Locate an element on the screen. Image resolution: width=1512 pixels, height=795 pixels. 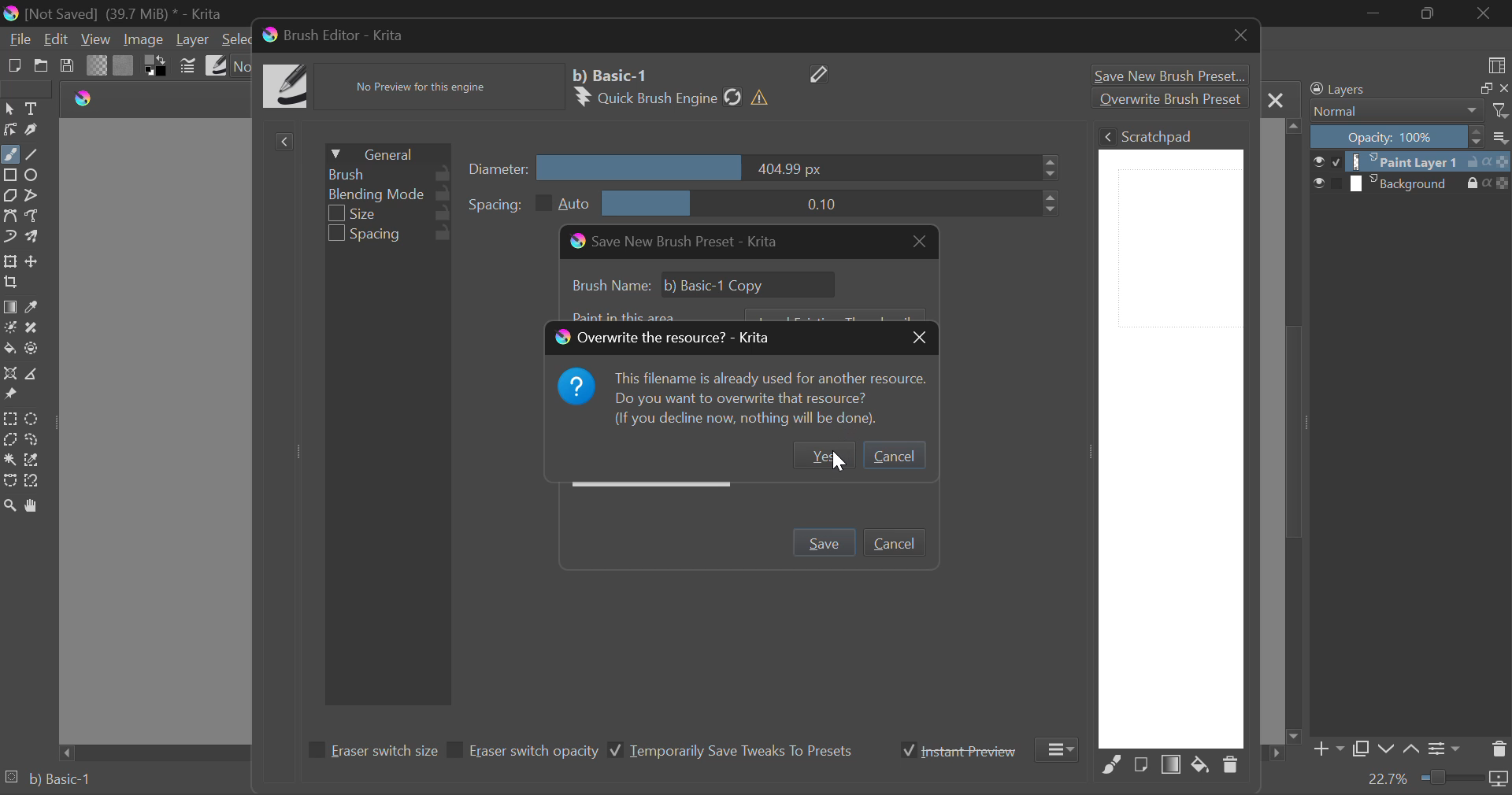
View is located at coordinates (96, 39).